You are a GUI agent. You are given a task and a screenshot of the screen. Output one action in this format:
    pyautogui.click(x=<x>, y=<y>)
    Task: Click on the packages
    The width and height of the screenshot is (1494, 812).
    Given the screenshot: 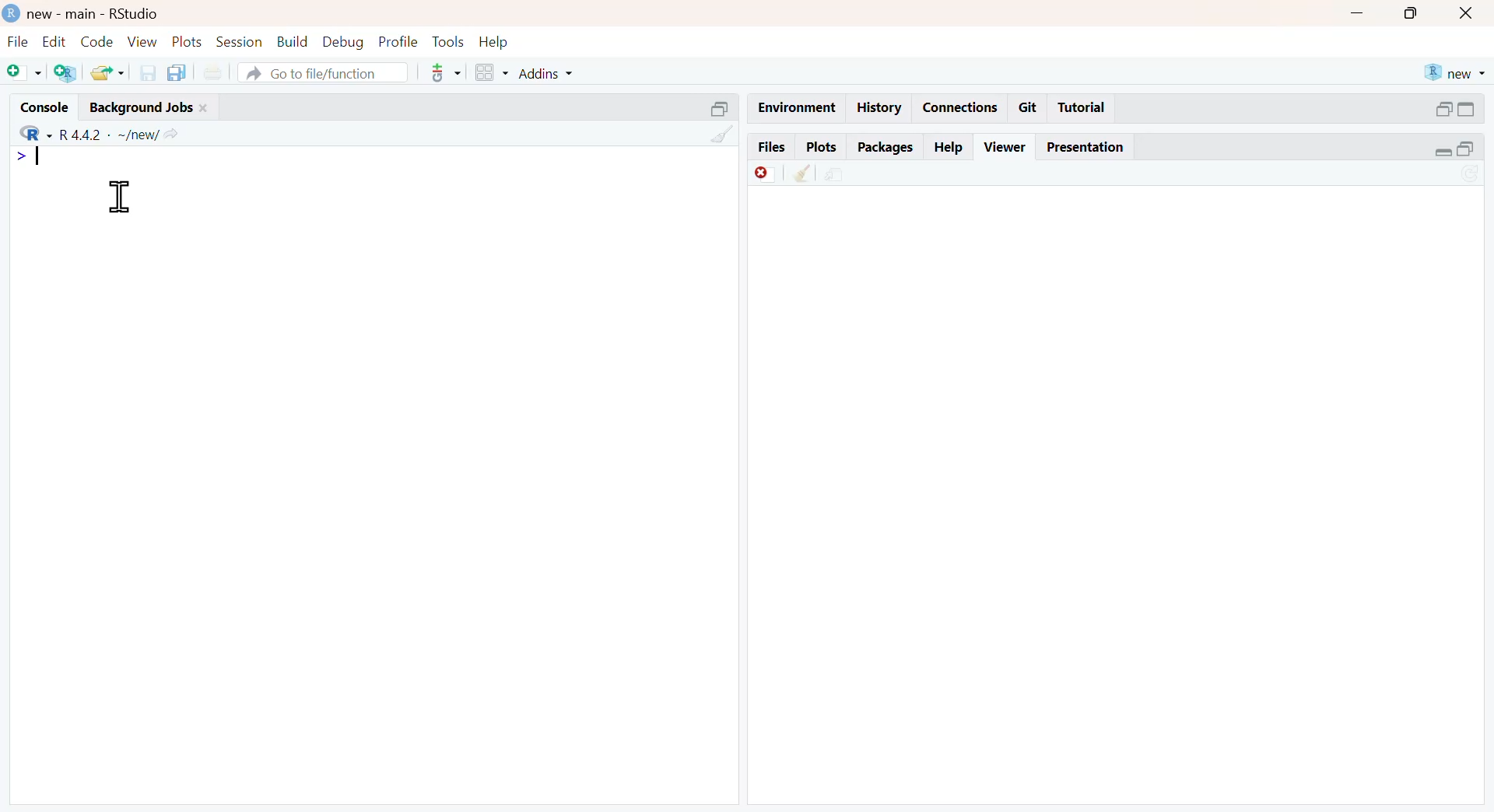 What is the action you would take?
    pyautogui.click(x=886, y=148)
    